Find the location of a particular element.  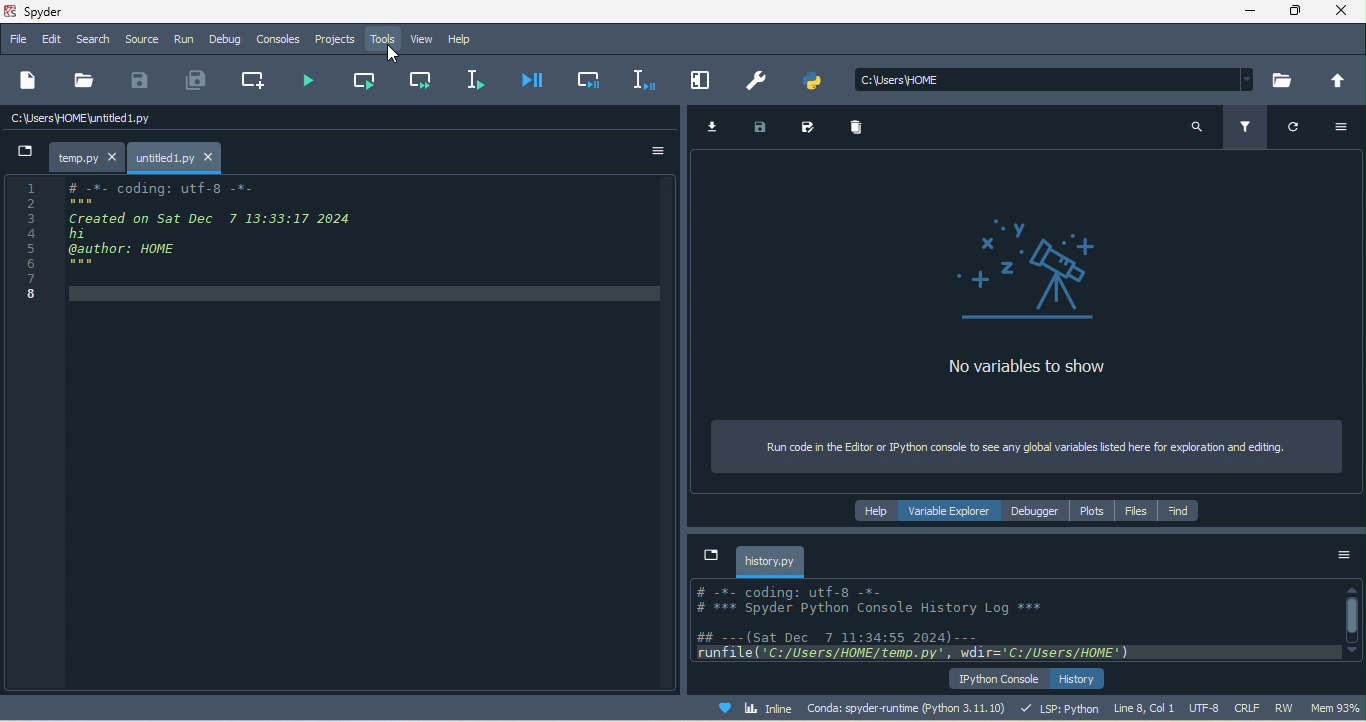

help is located at coordinates (878, 511).